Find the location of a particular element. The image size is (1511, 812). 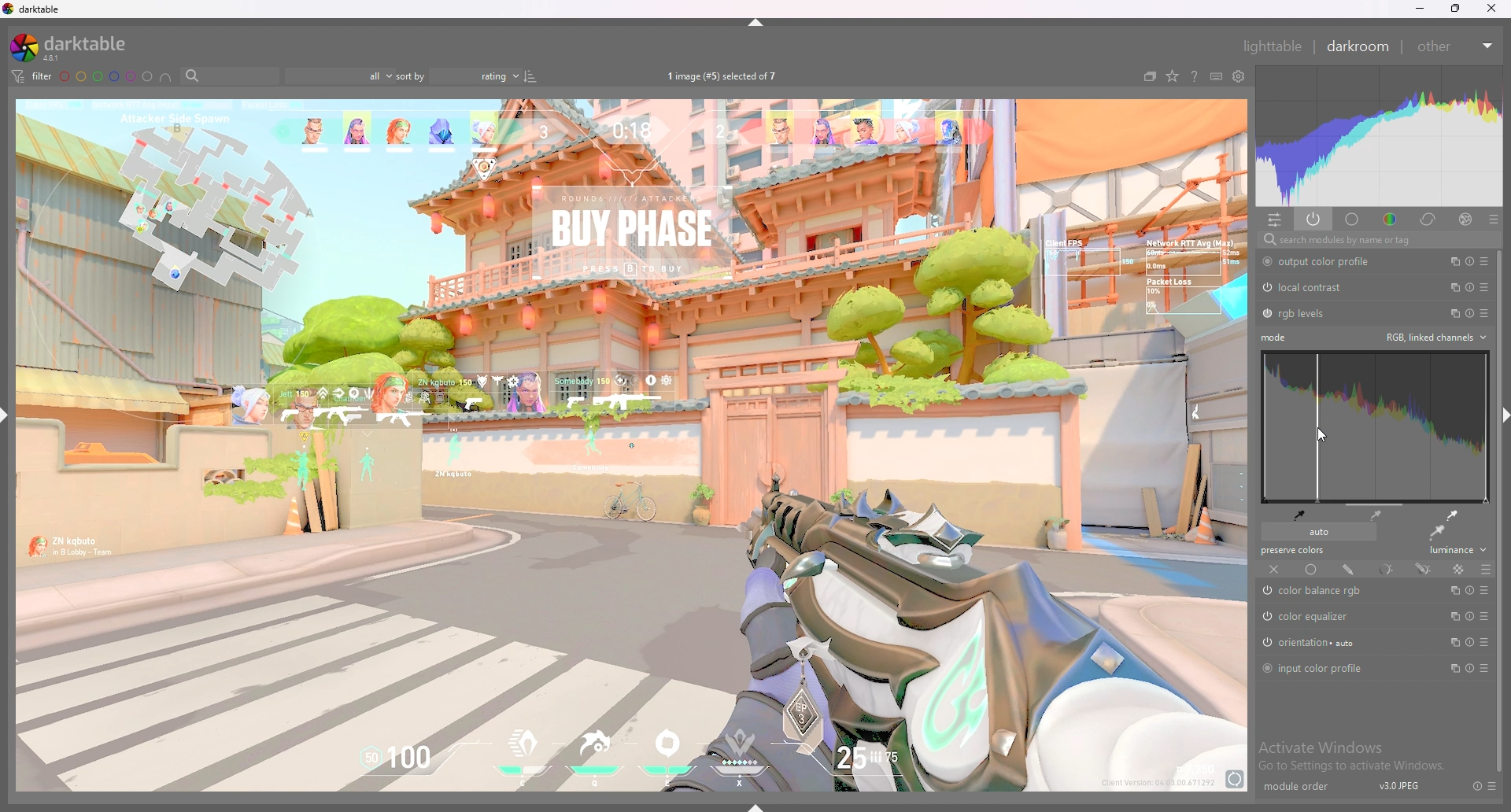

reset is located at coordinates (1469, 261).